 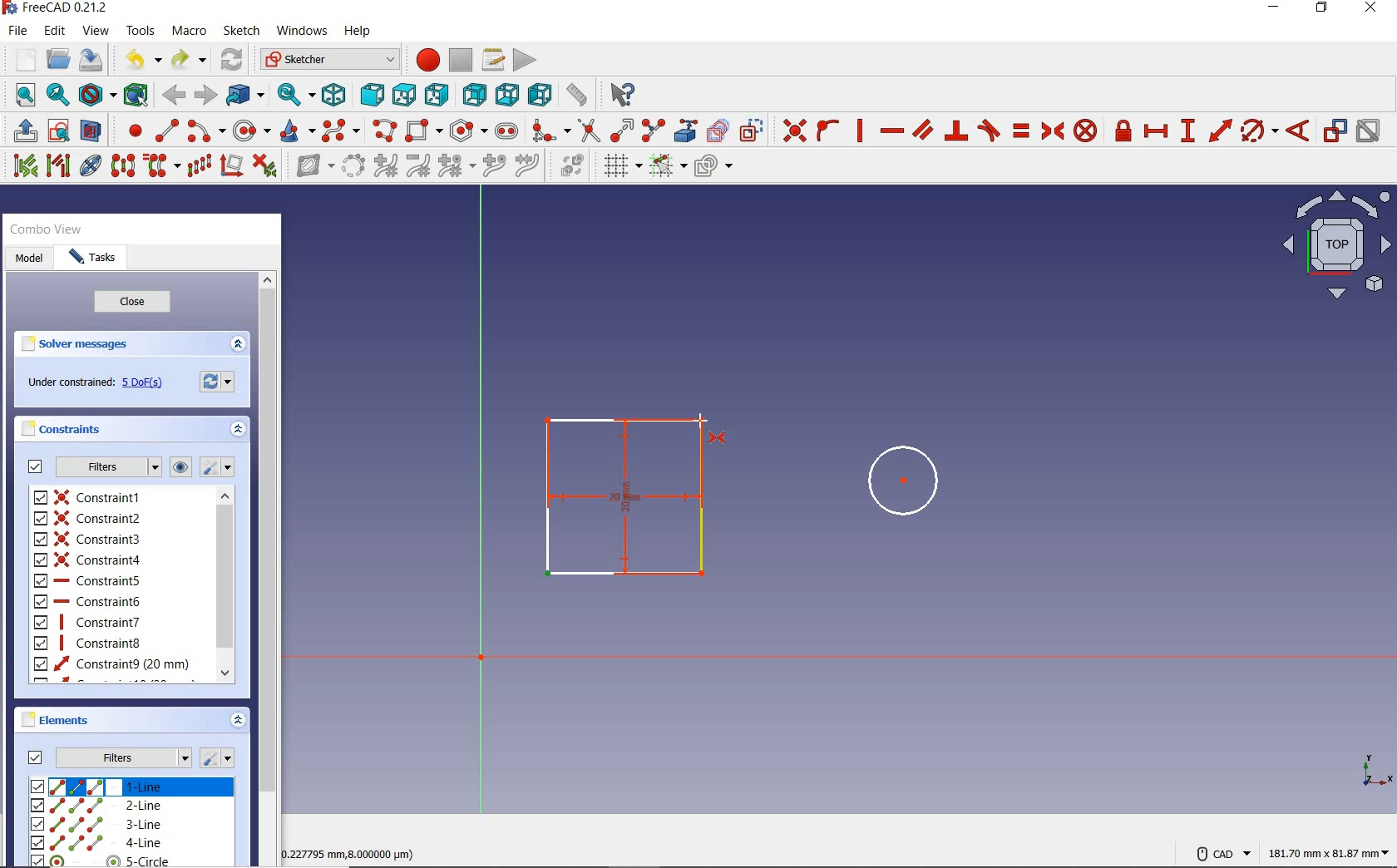 What do you see at coordinates (145, 384) in the screenshot?
I see `5 DoF(s)` at bounding box center [145, 384].